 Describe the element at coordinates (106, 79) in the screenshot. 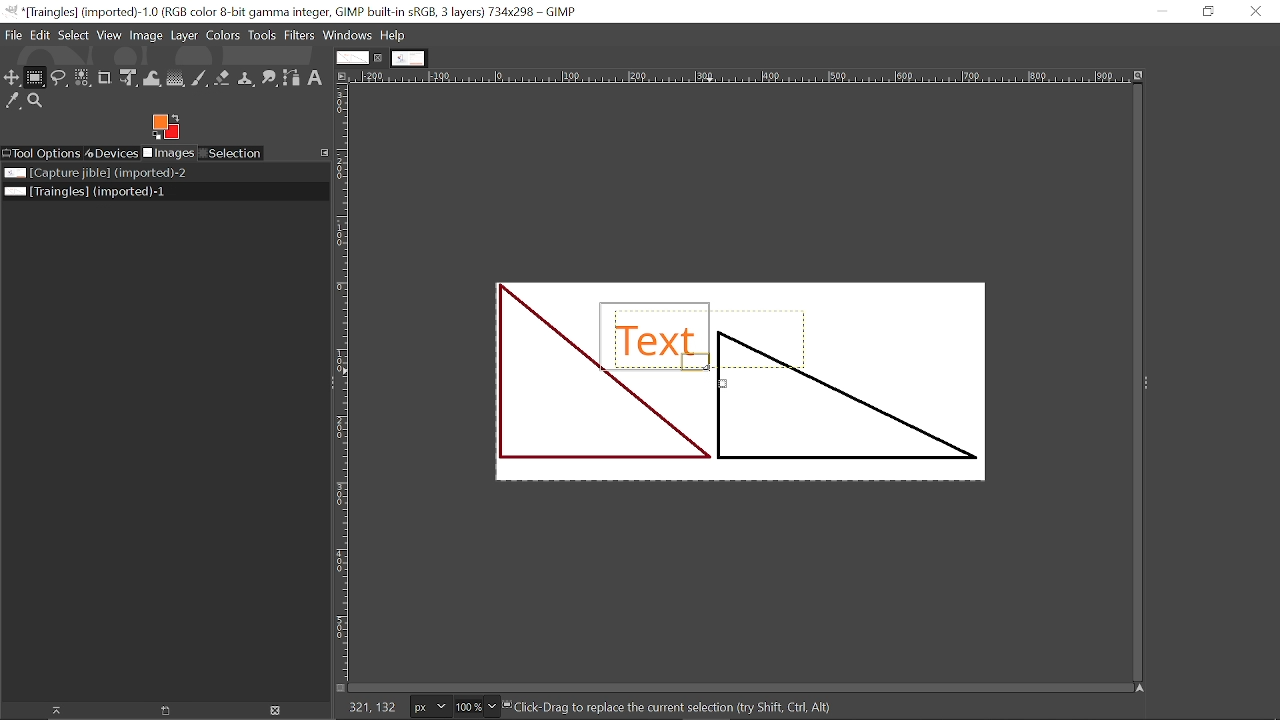

I see `Crop tool` at that location.